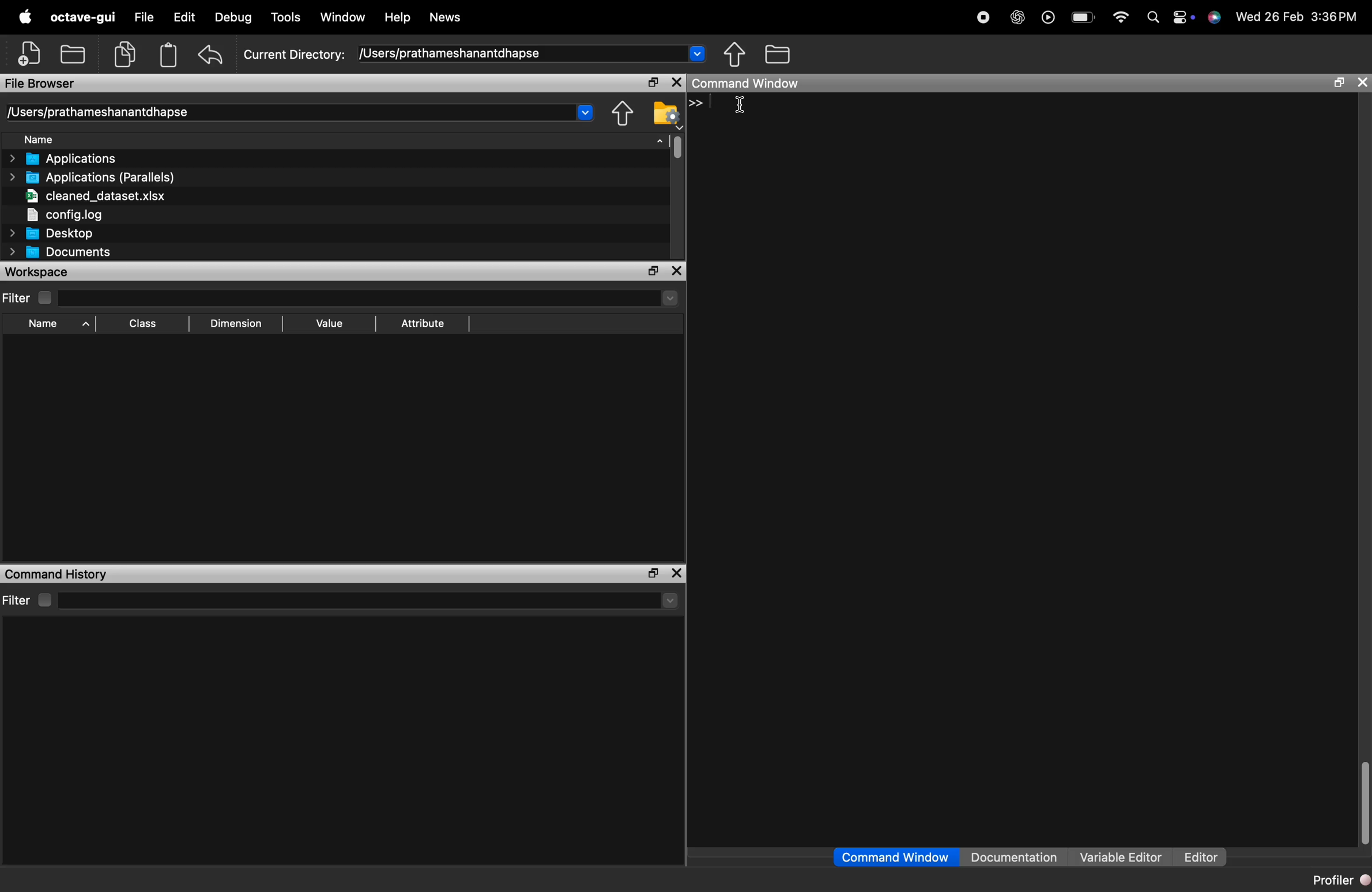  What do you see at coordinates (90, 177) in the screenshot?
I see `Applications (Parallels)` at bounding box center [90, 177].